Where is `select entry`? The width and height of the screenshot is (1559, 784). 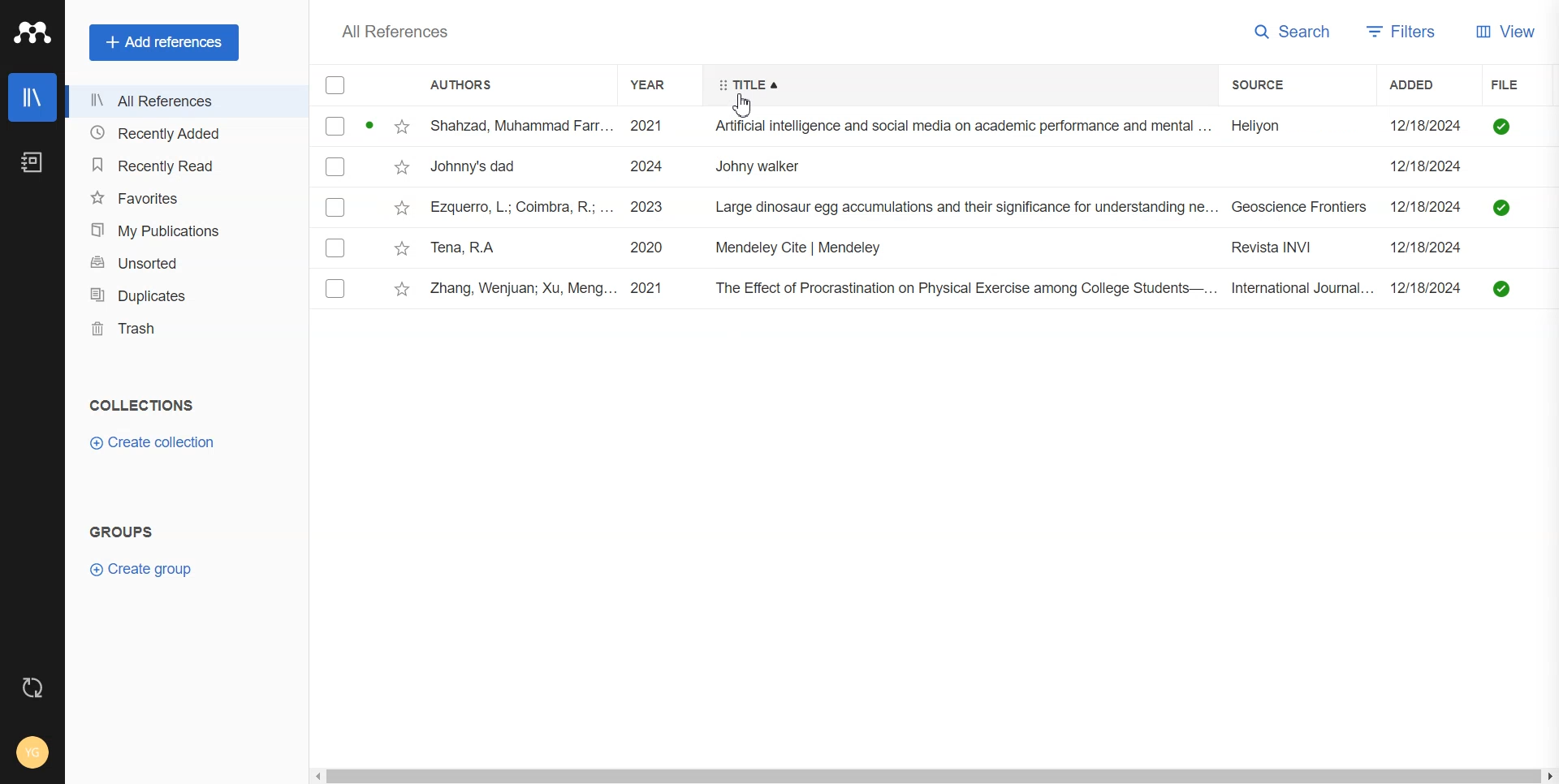 select entry is located at coordinates (335, 289).